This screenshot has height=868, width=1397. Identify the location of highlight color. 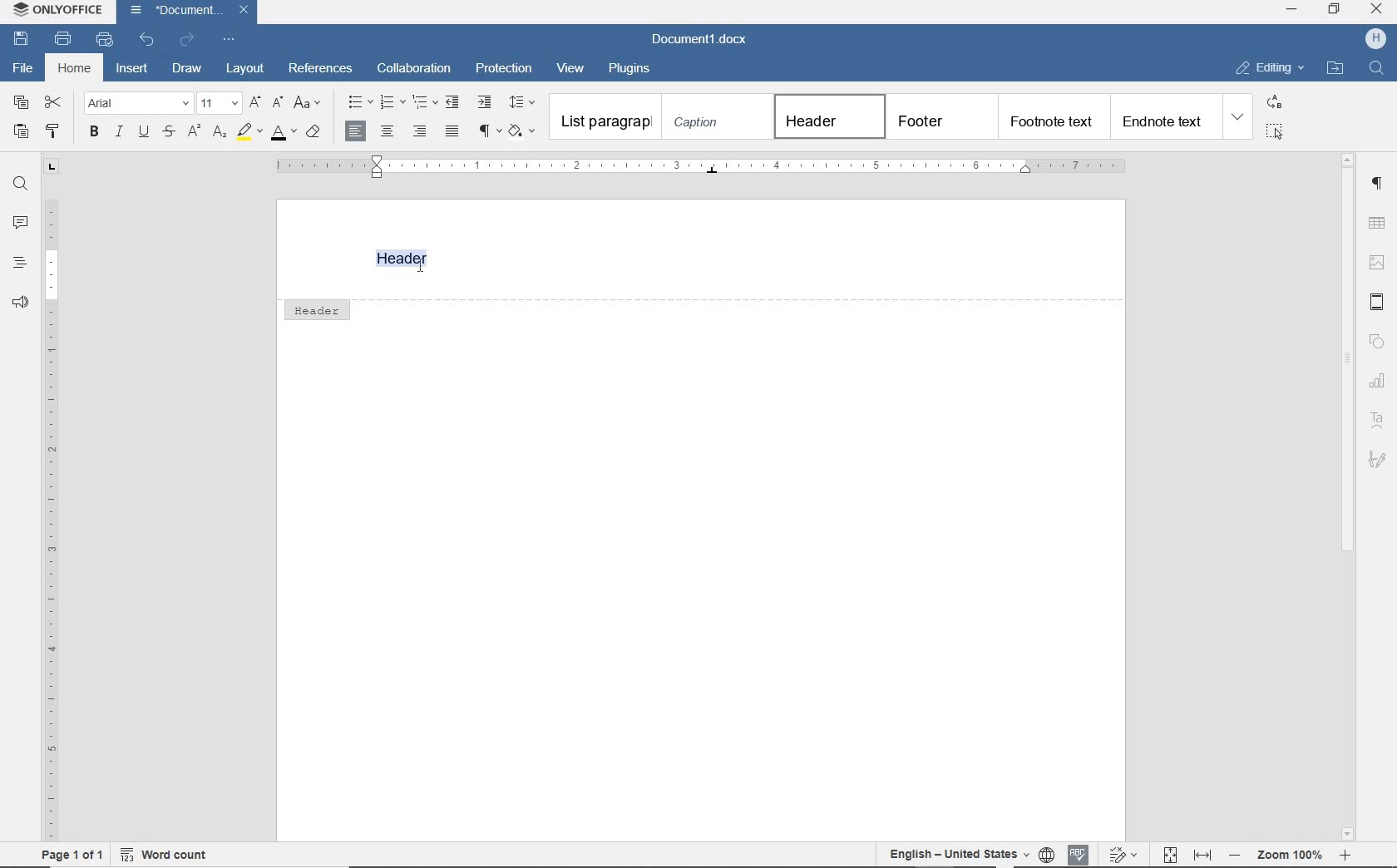
(249, 133).